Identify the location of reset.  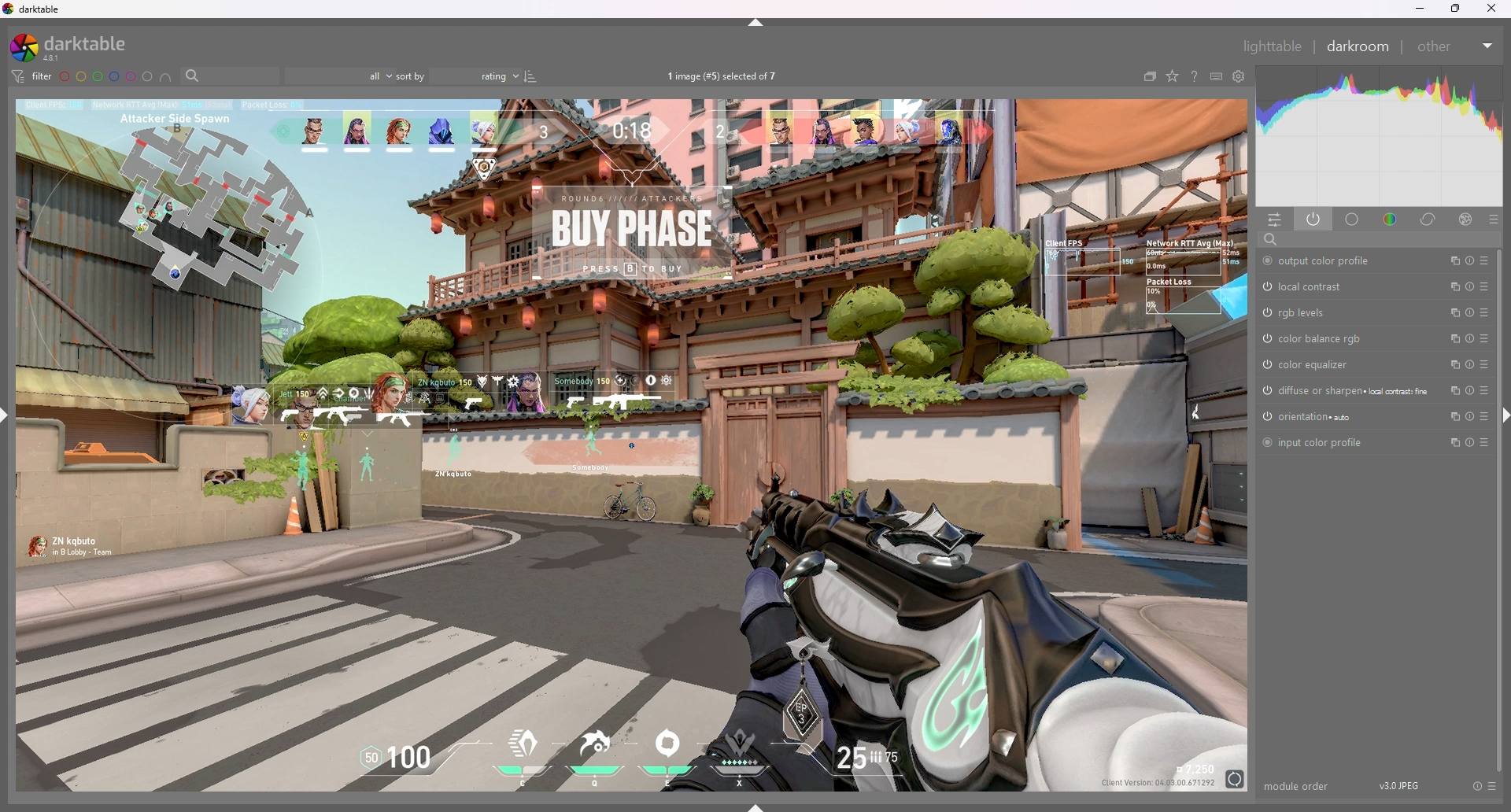
(1470, 339).